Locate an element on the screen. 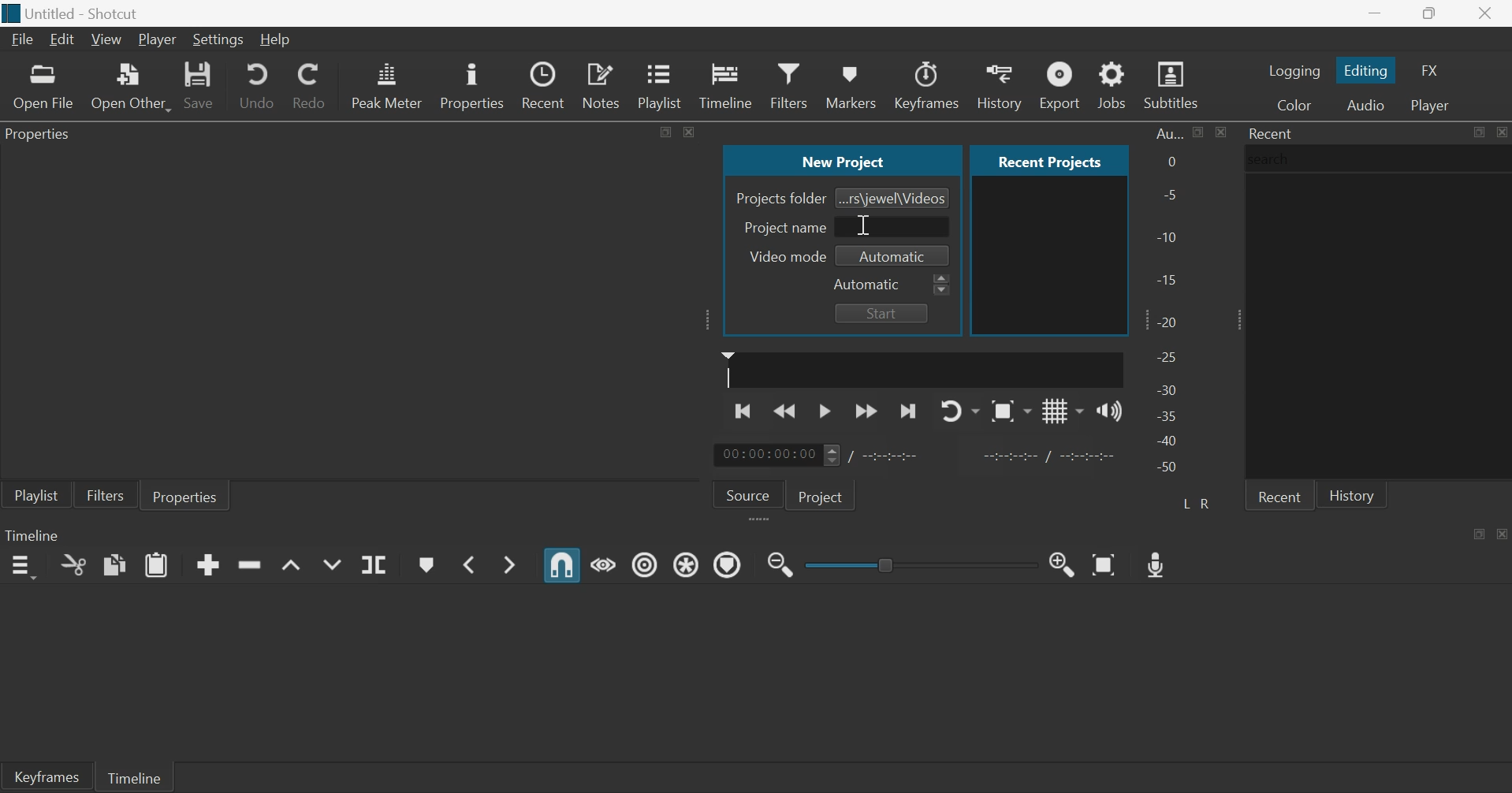 This screenshot has height=793, width=1512. Switch to the Audio layout is located at coordinates (1365, 104).